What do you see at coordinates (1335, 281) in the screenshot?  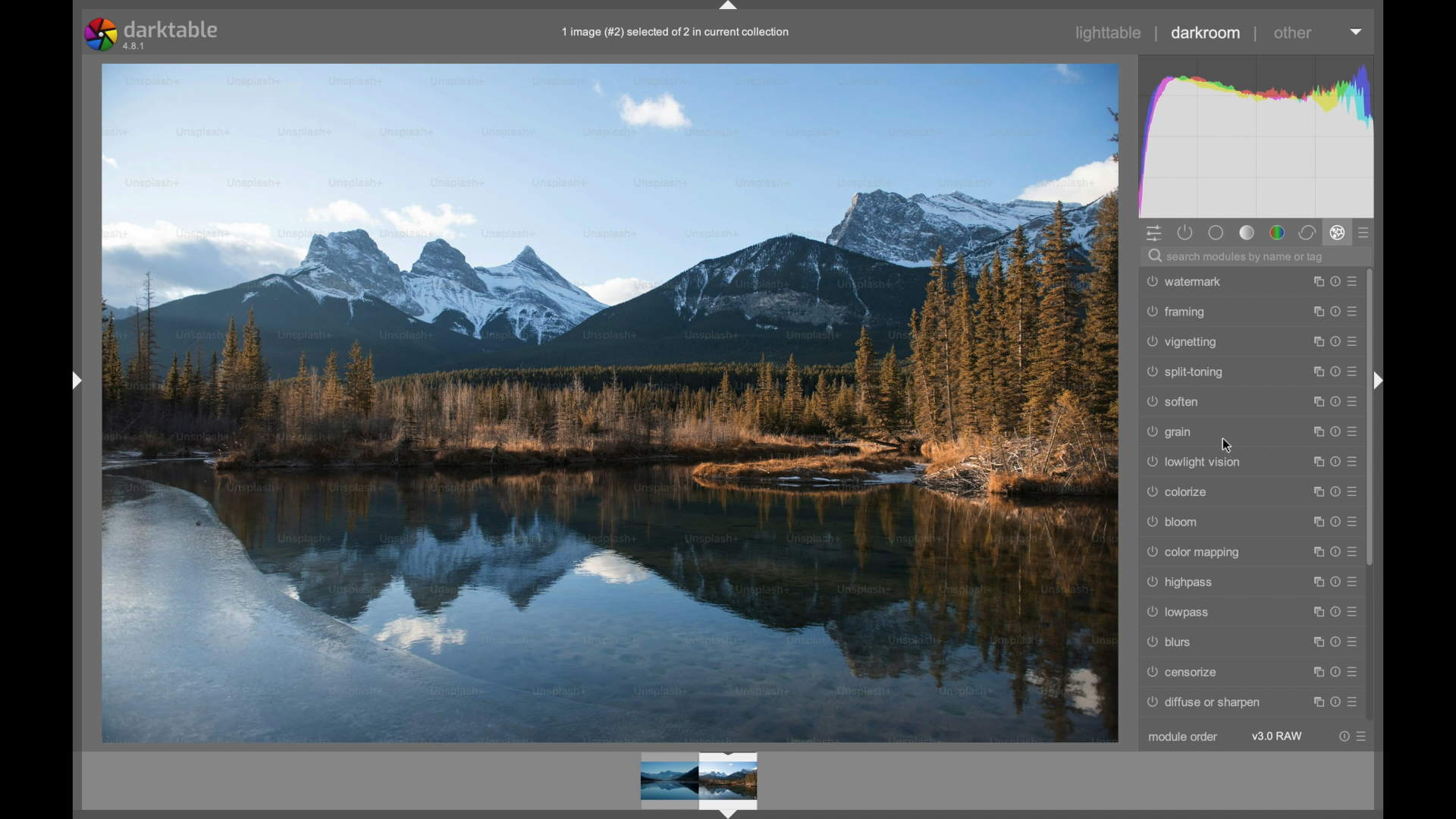 I see `reset parameters` at bounding box center [1335, 281].